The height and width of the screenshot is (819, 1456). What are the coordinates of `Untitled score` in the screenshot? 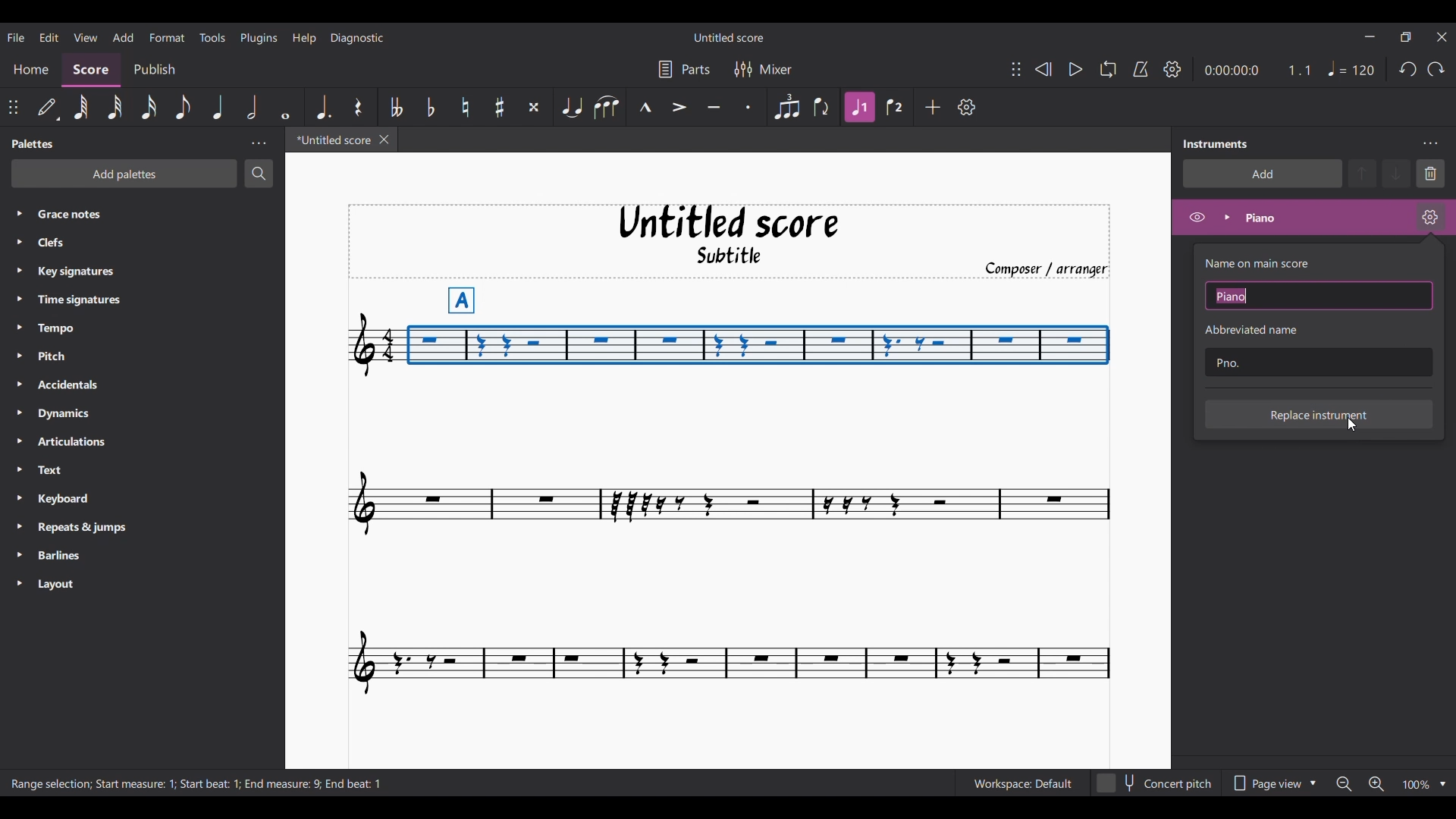 It's located at (729, 222).